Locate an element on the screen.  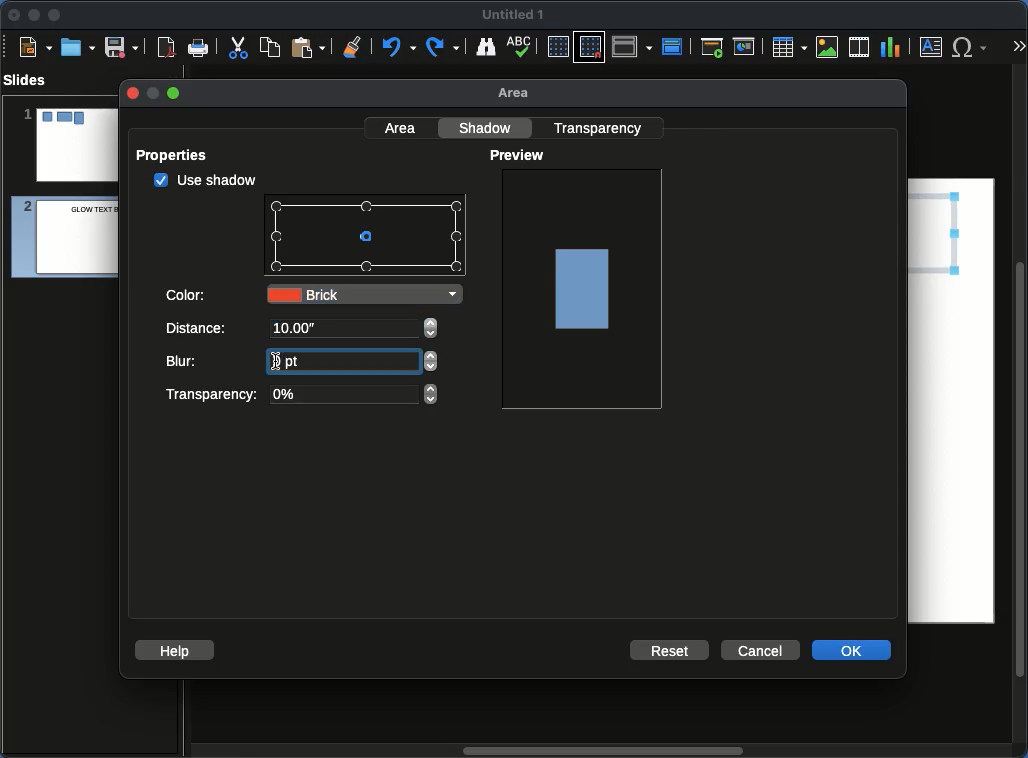
Close is located at coordinates (15, 15).